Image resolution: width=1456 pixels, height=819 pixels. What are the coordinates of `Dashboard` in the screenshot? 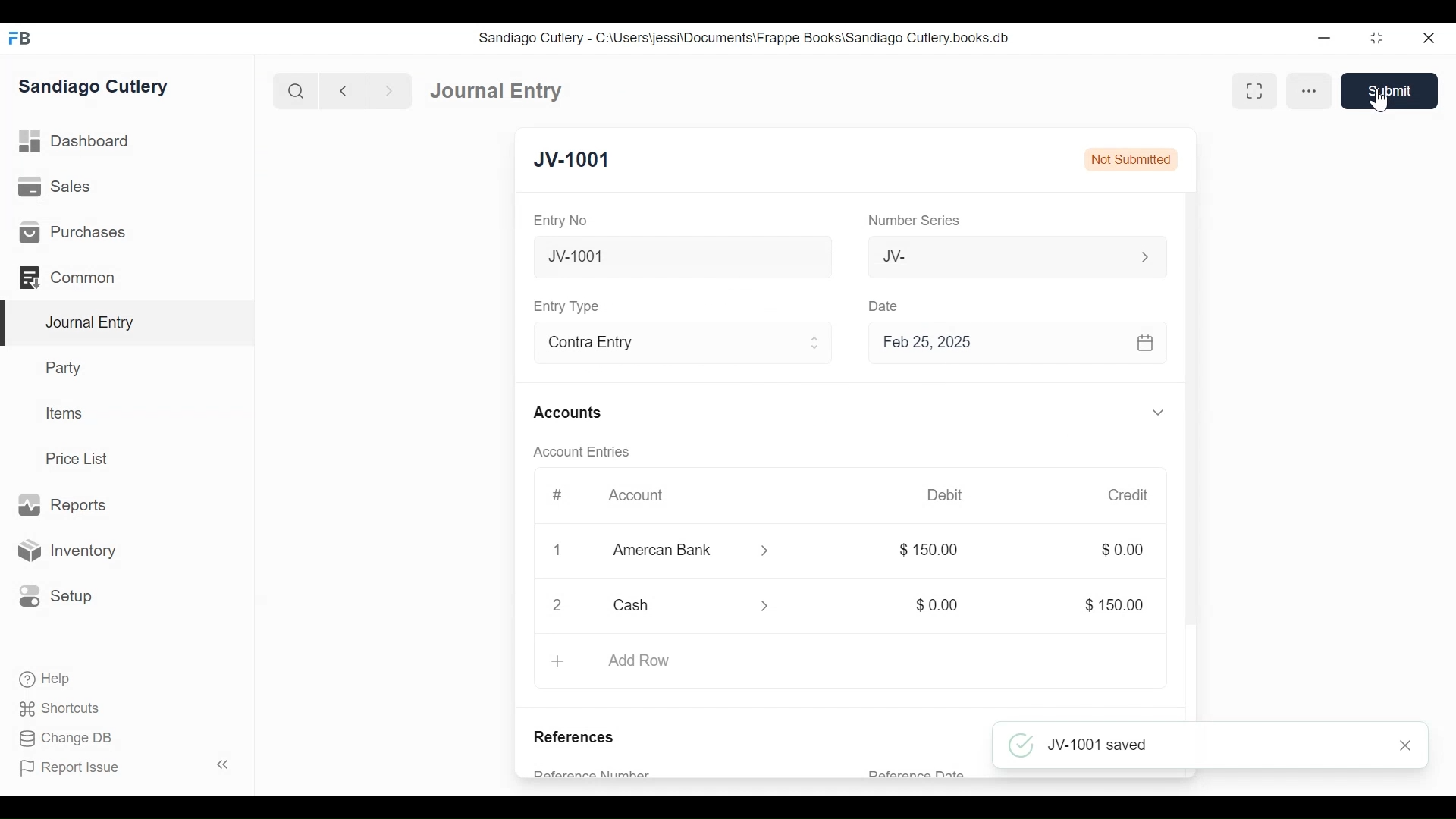 It's located at (76, 142).